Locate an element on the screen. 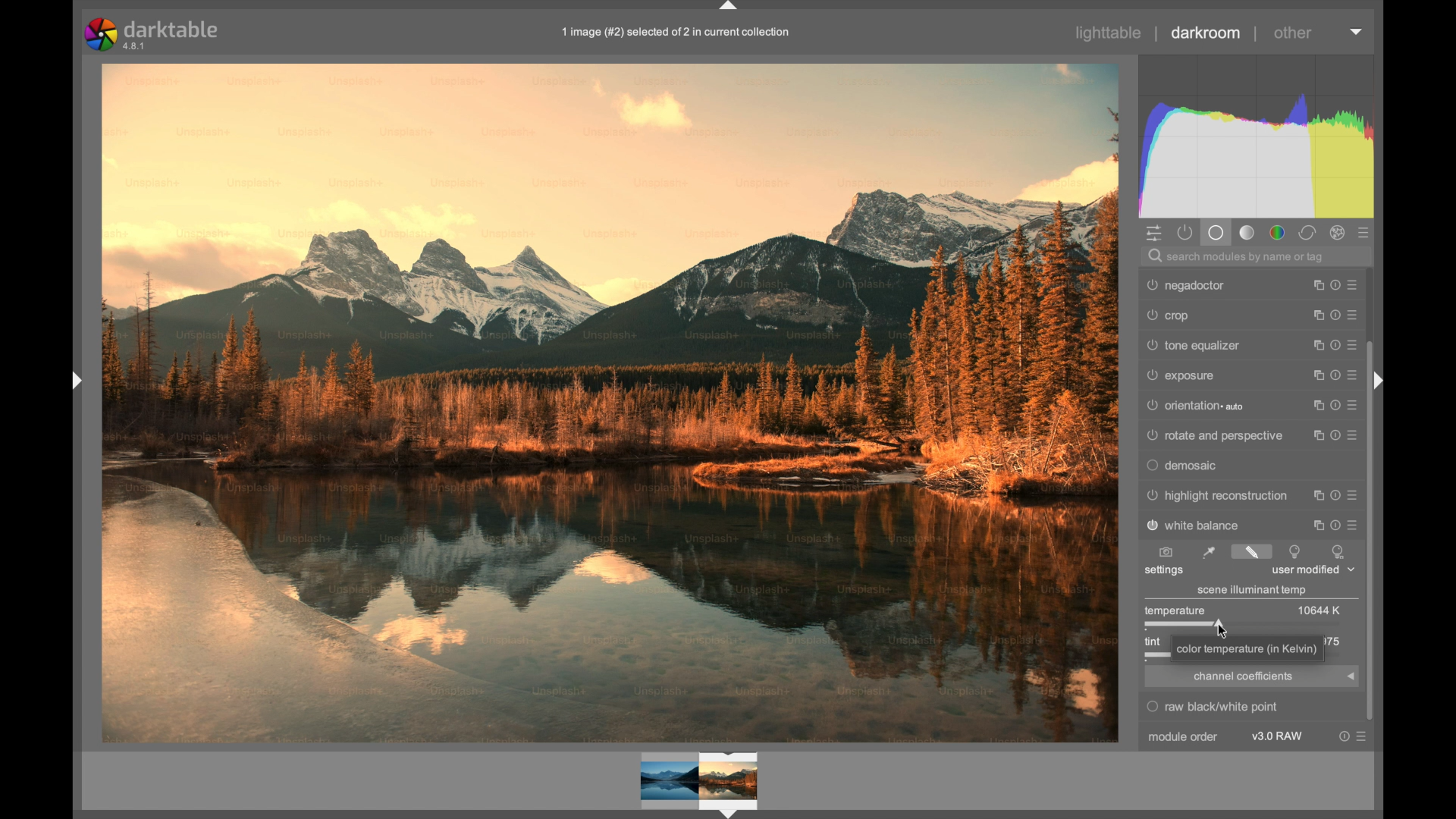  reset parameters is located at coordinates (1336, 491).